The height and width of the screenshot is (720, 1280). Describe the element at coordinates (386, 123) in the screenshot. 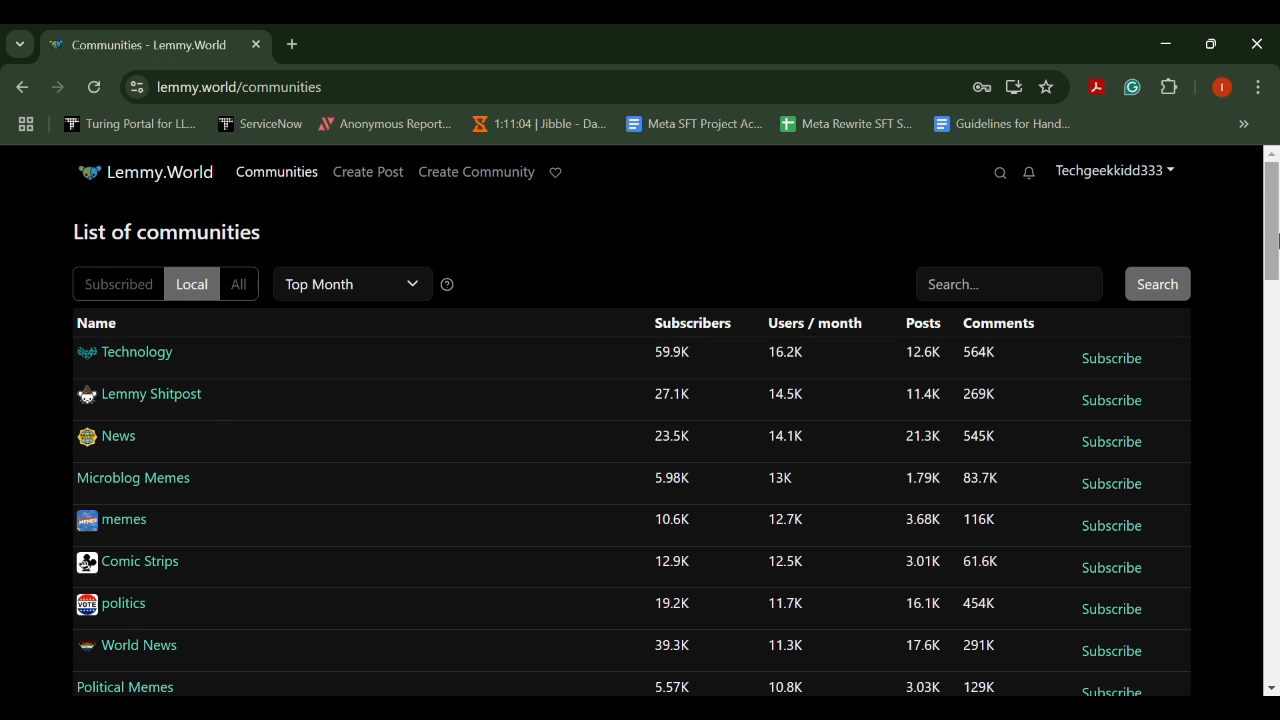

I see `Anonymous Report` at that location.